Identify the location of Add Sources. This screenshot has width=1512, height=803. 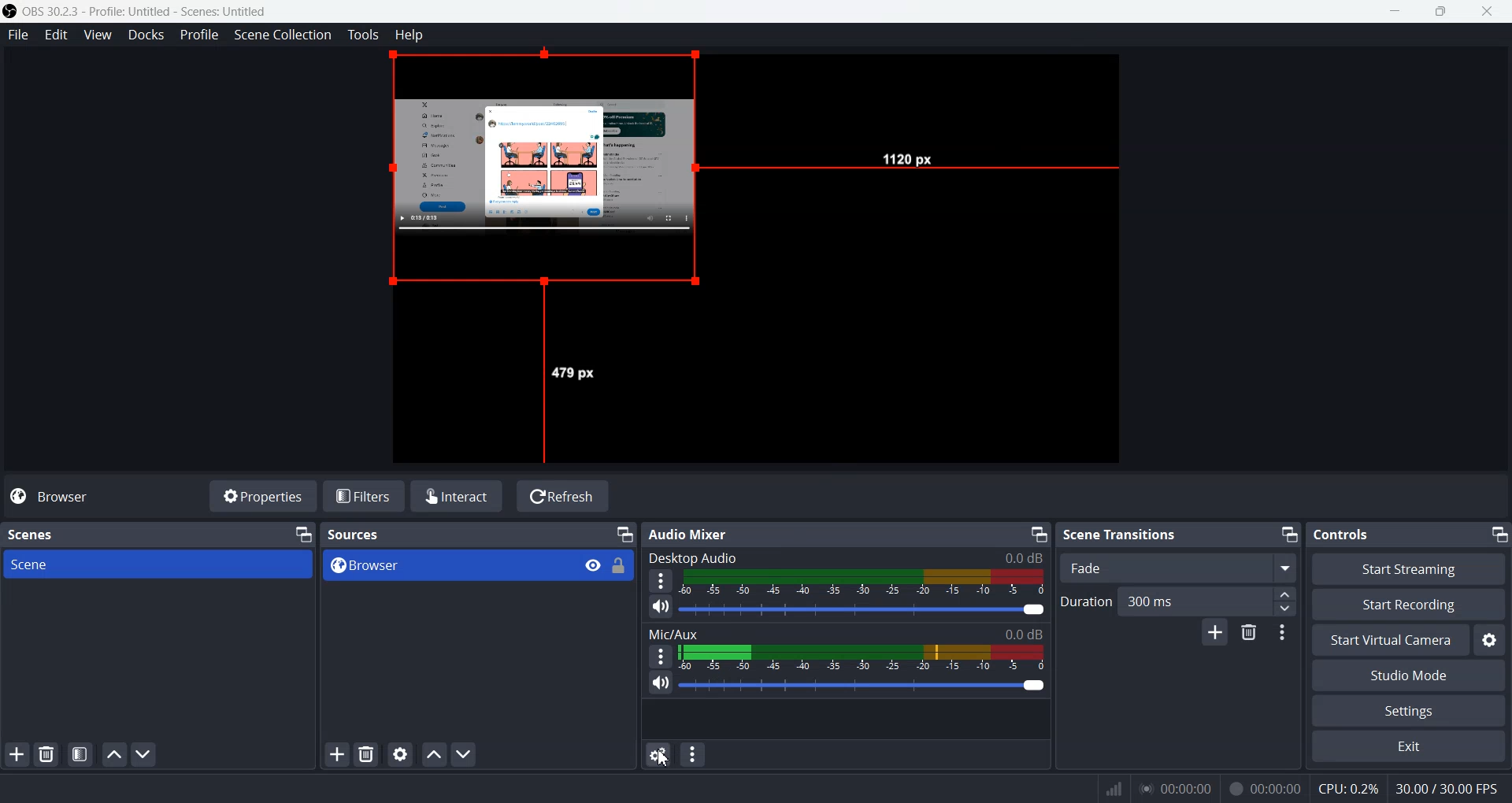
(337, 753).